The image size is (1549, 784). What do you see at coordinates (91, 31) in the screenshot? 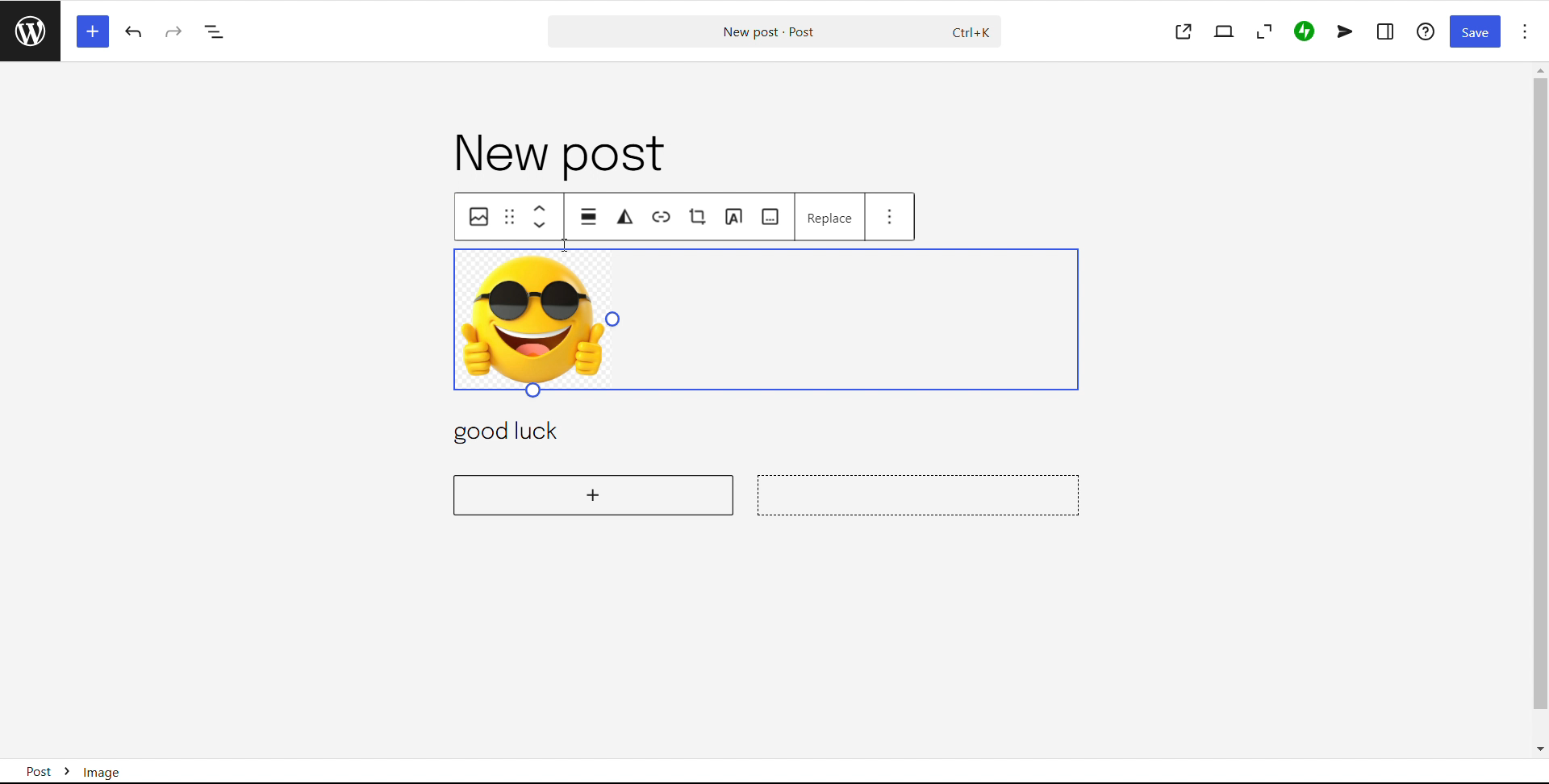
I see `block inserter` at bounding box center [91, 31].